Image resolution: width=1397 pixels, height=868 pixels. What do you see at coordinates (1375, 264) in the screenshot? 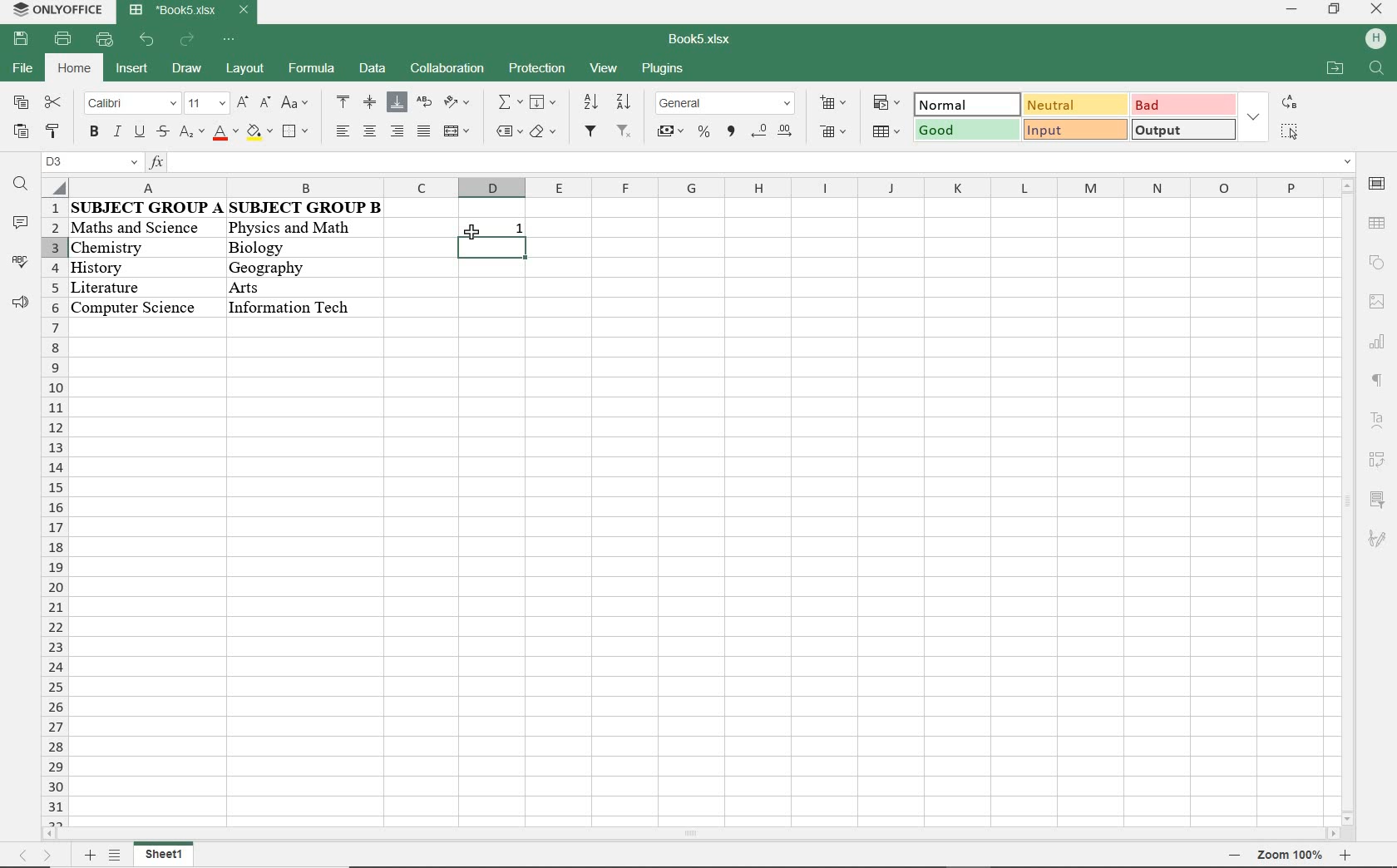
I see `sign` at bounding box center [1375, 264].